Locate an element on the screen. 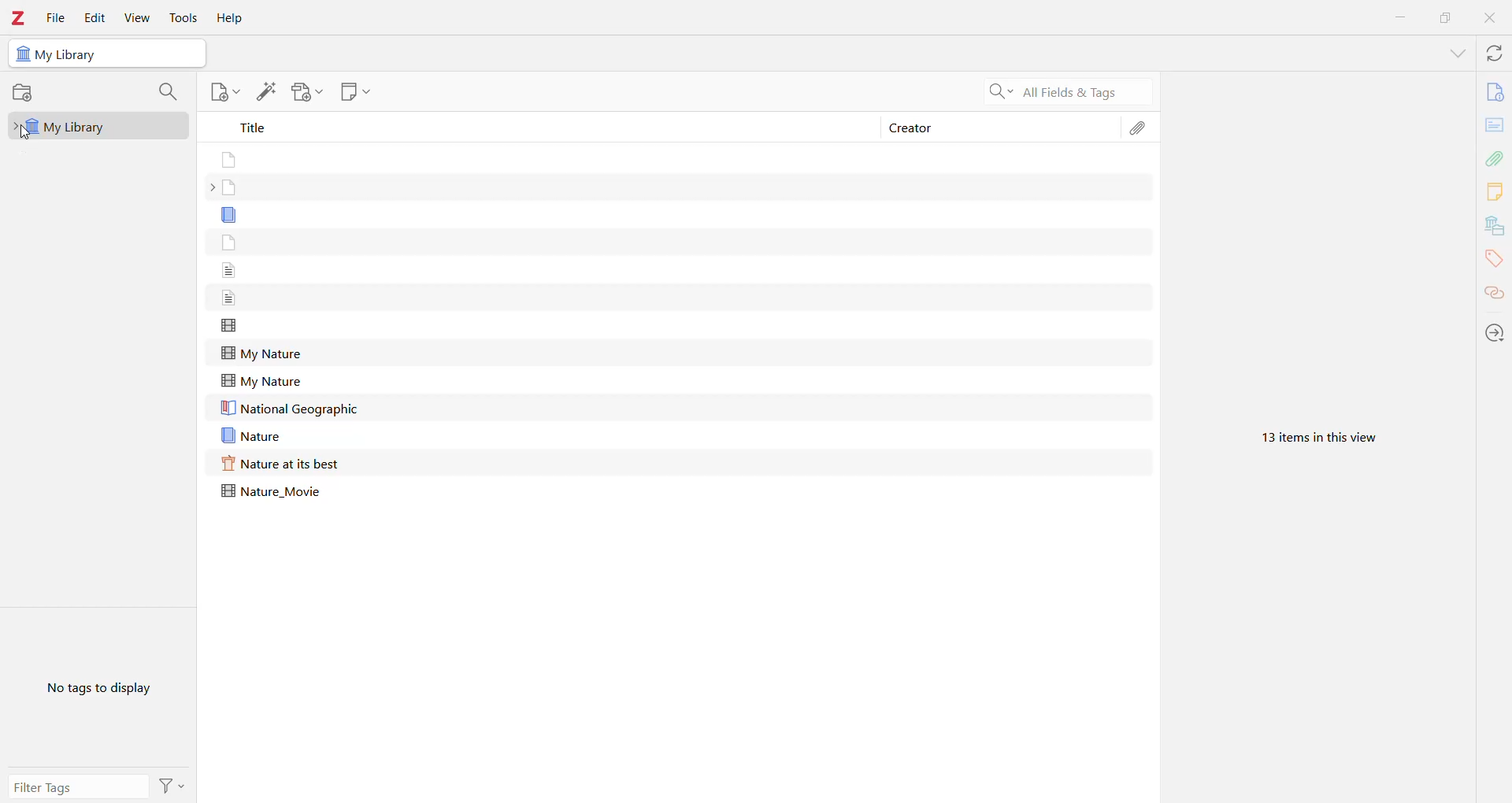  Abstract is located at coordinates (1496, 126).